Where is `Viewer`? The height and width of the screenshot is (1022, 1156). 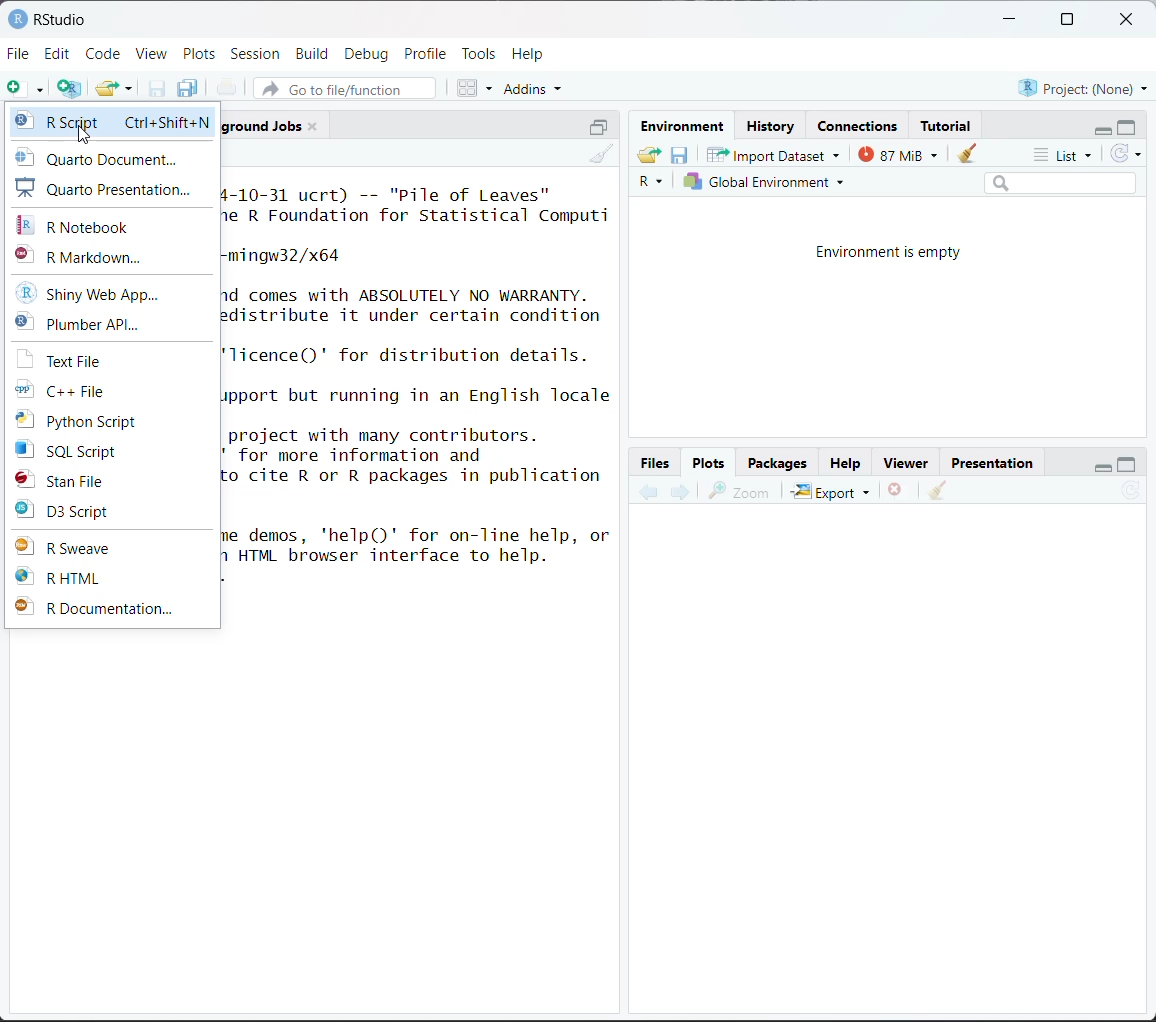 Viewer is located at coordinates (910, 464).